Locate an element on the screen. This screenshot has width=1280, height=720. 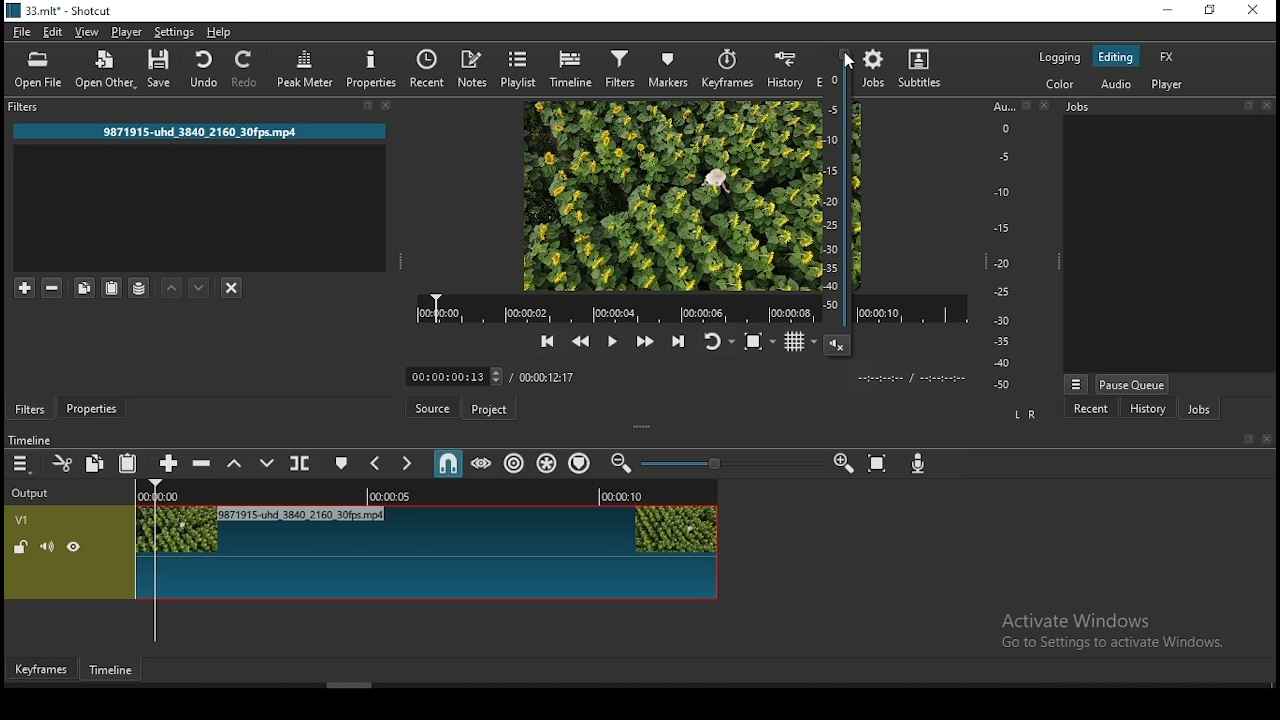
time line is located at coordinates (31, 438).